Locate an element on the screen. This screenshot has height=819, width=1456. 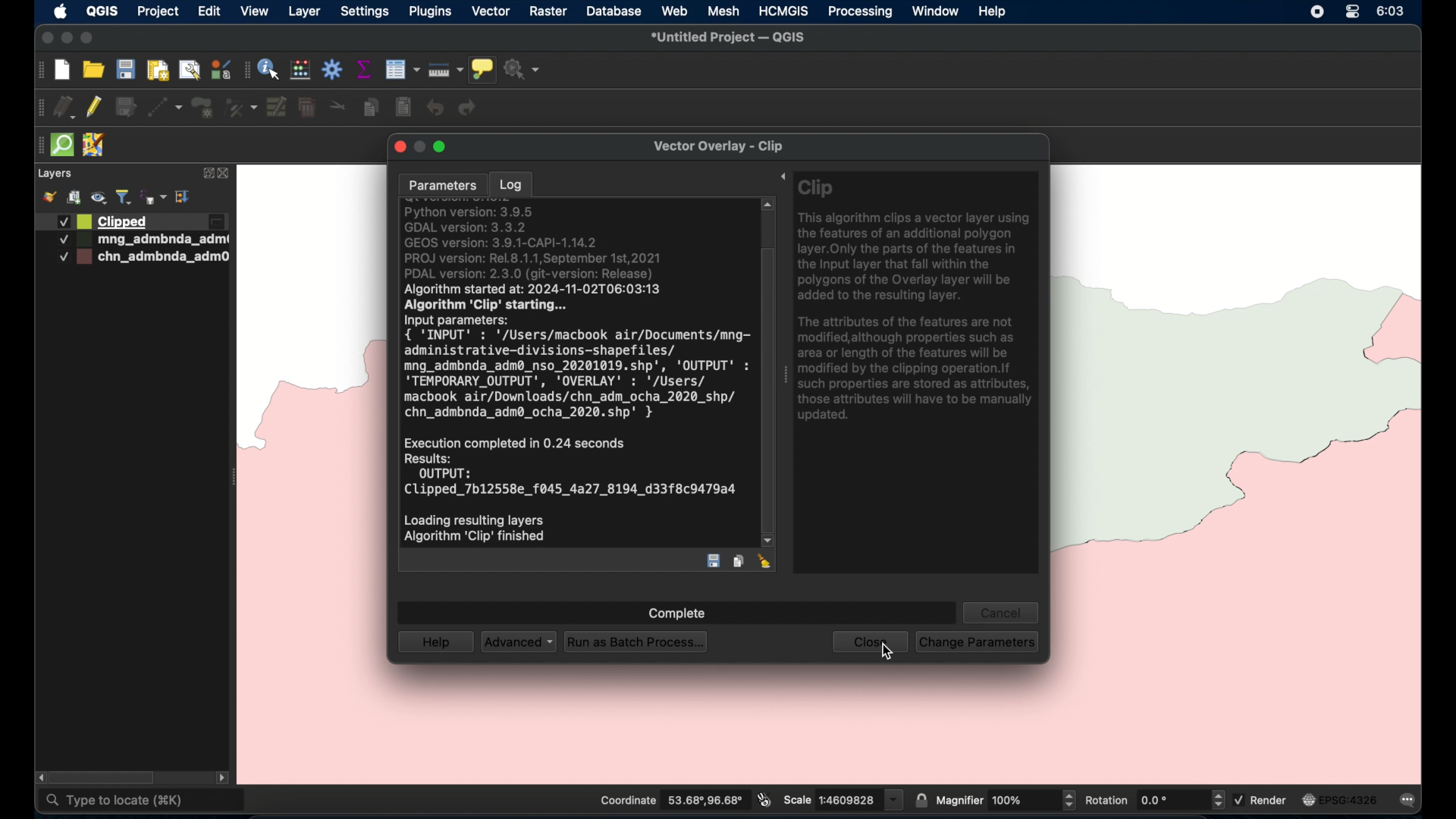
view is located at coordinates (255, 11).